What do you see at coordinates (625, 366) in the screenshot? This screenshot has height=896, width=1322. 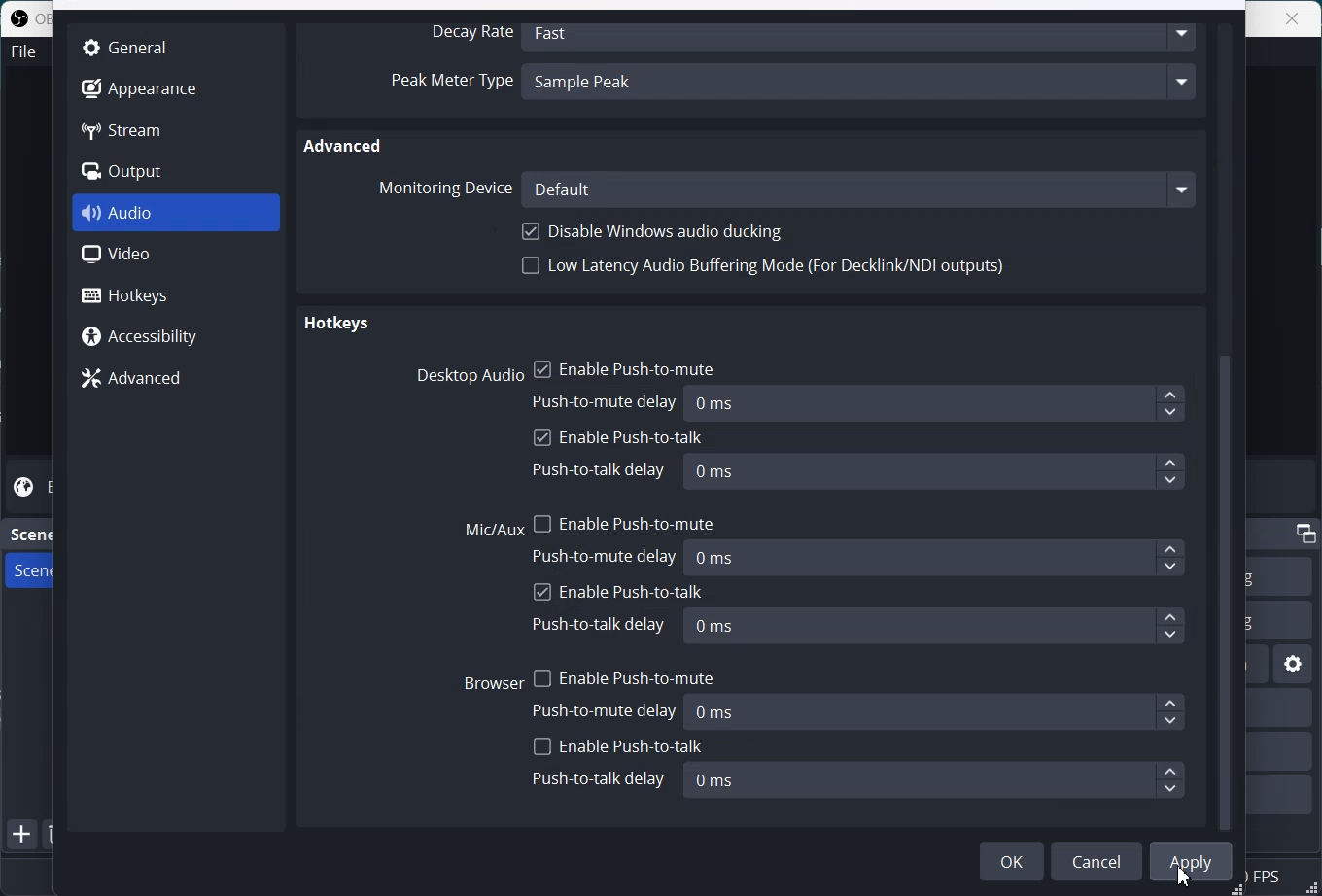 I see `Enable Push-to-mute` at bounding box center [625, 366].